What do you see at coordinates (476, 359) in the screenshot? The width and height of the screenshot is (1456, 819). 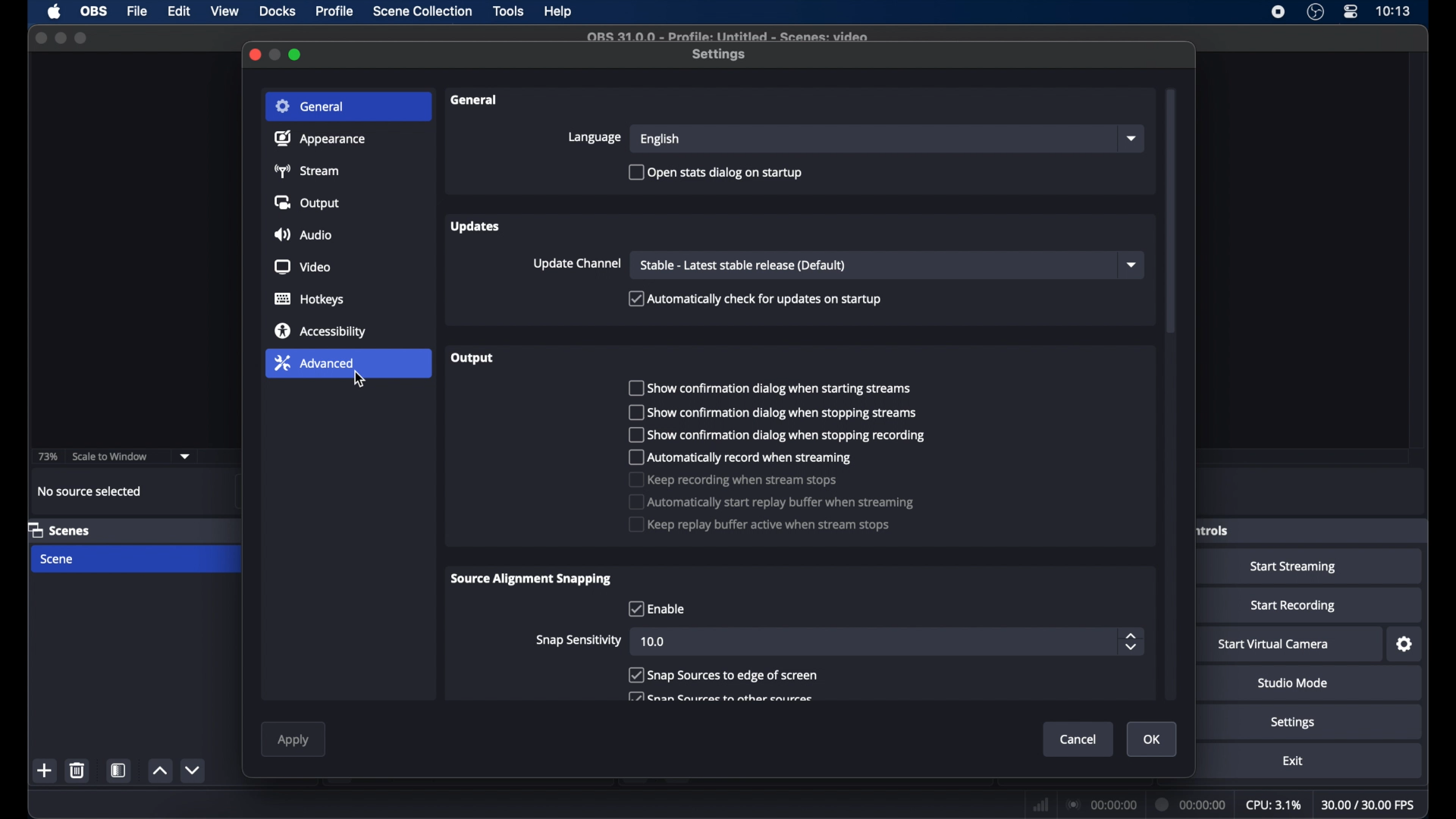 I see `output` at bounding box center [476, 359].